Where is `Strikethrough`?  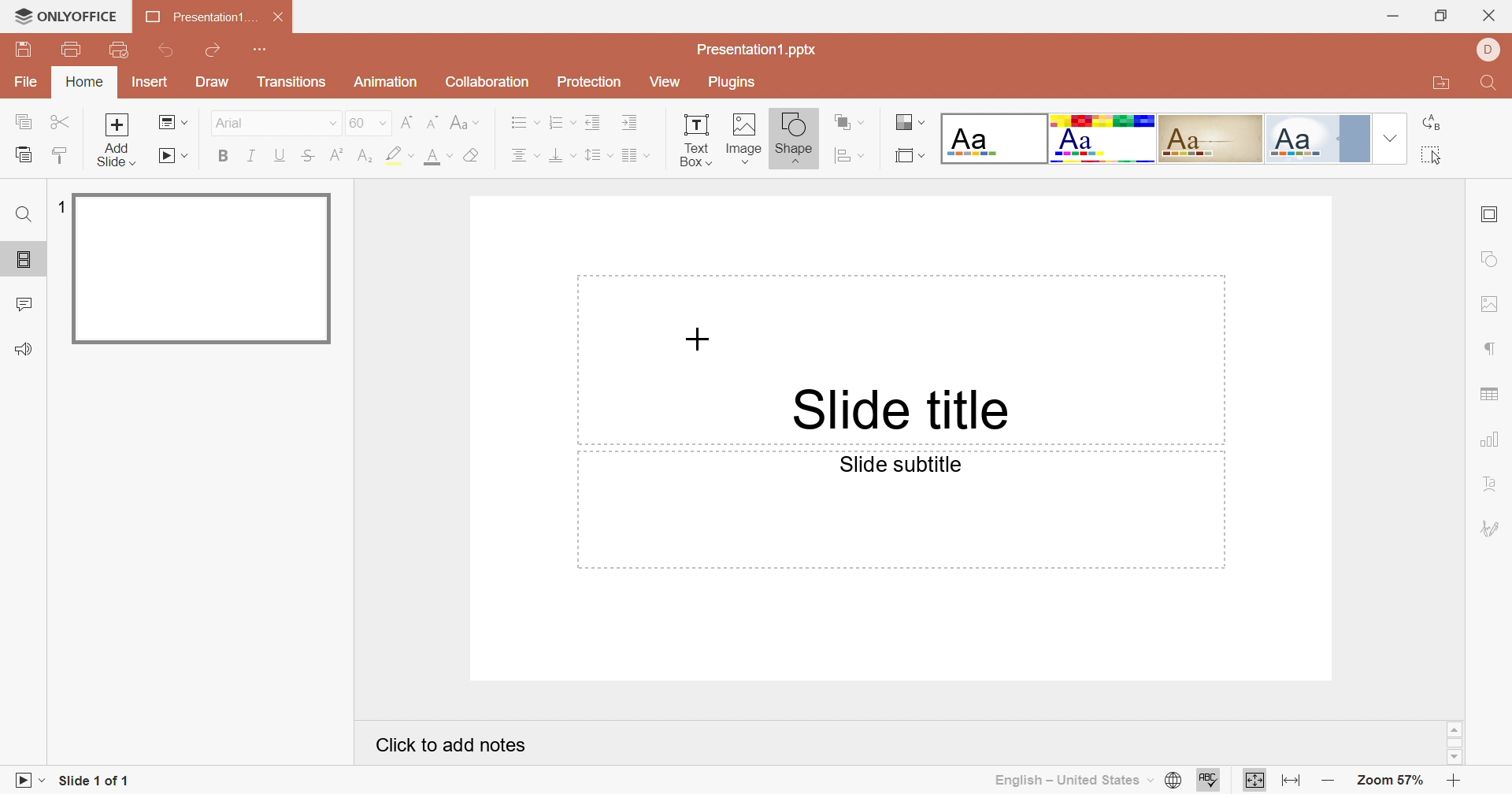
Strikethrough is located at coordinates (310, 157).